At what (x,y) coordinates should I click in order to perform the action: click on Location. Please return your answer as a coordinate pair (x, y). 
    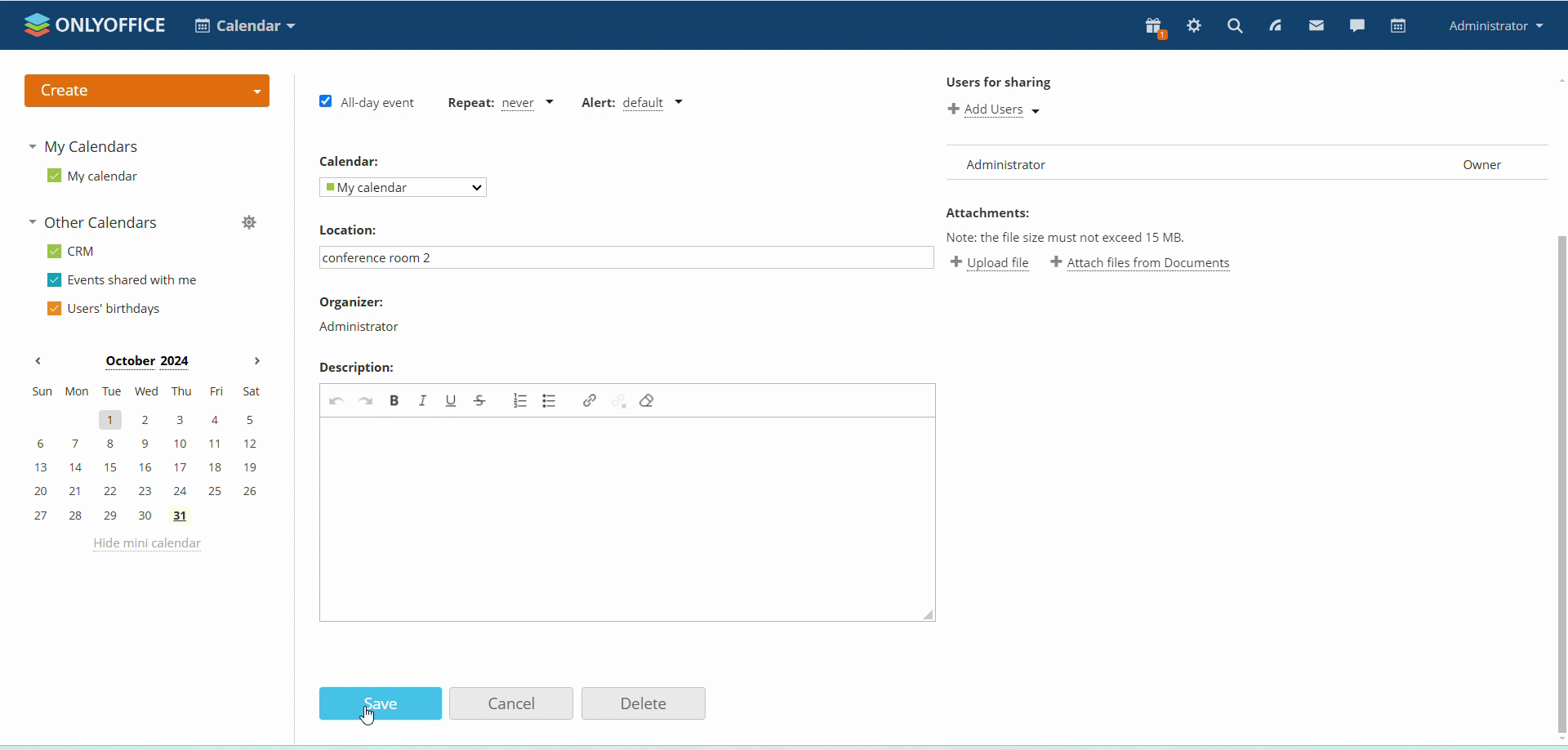
    Looking at the image, I should click on (353, 230).